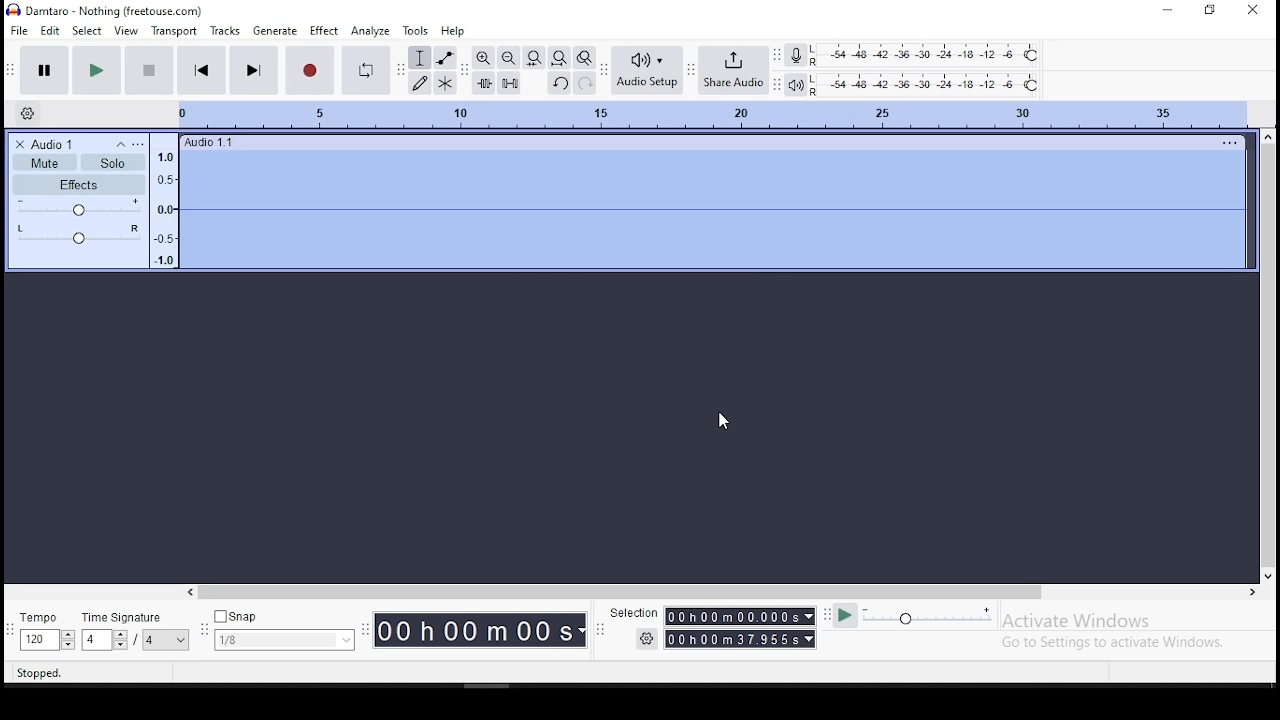 The image size is (1280, 720). I want to click on analyze, so click(372, 31).